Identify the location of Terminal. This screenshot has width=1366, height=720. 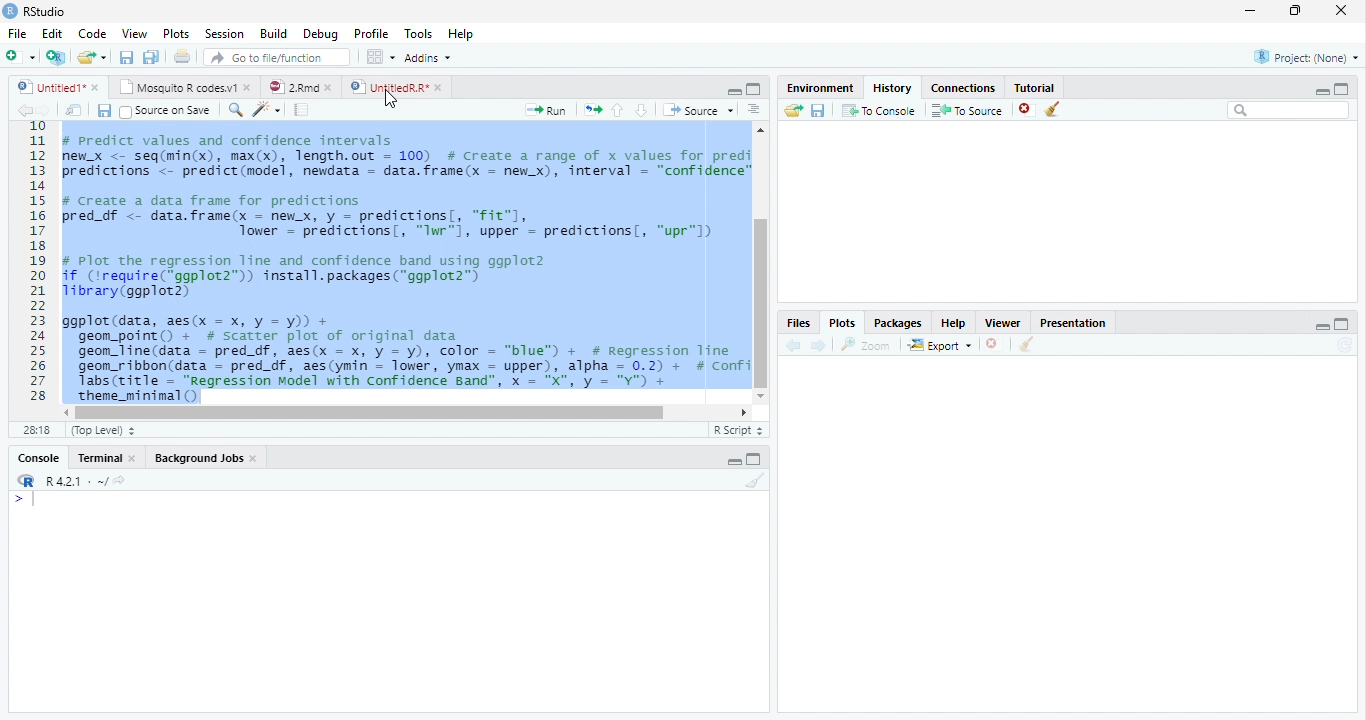
(108, 455).